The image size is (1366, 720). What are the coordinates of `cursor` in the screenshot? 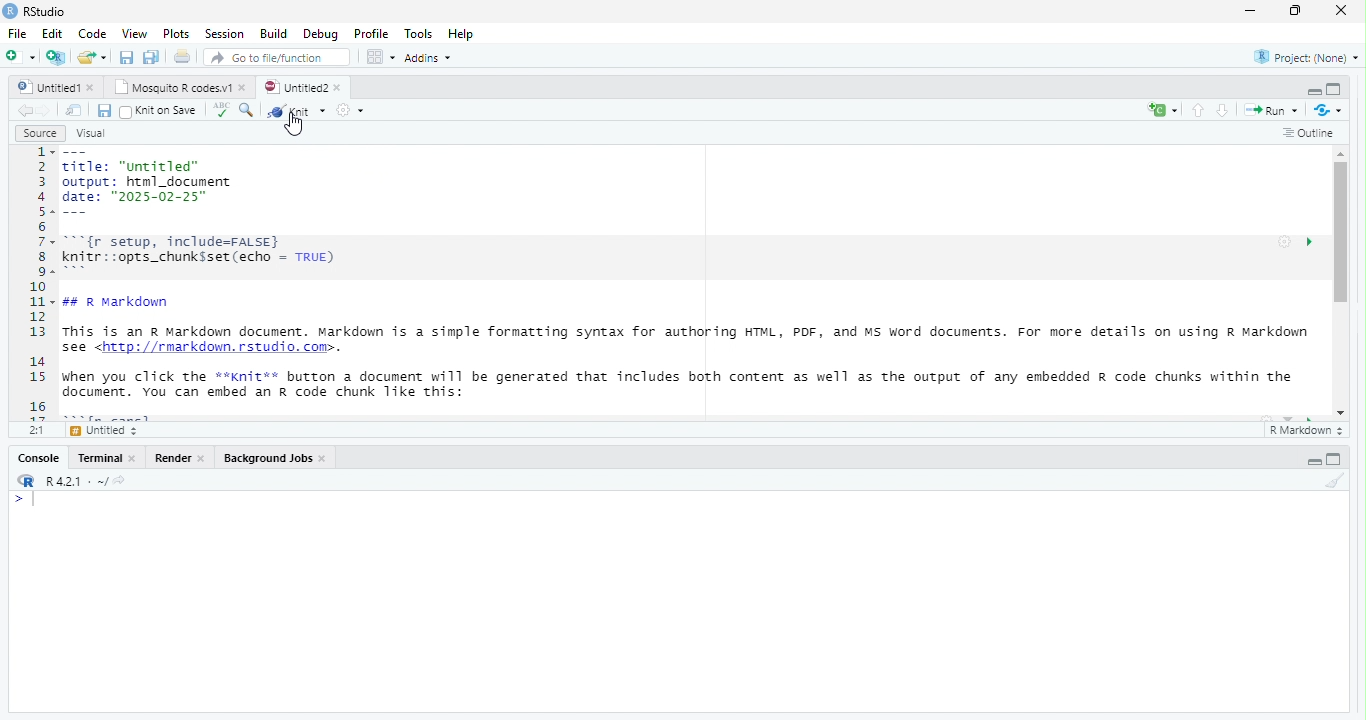 It's located at (297, 126).